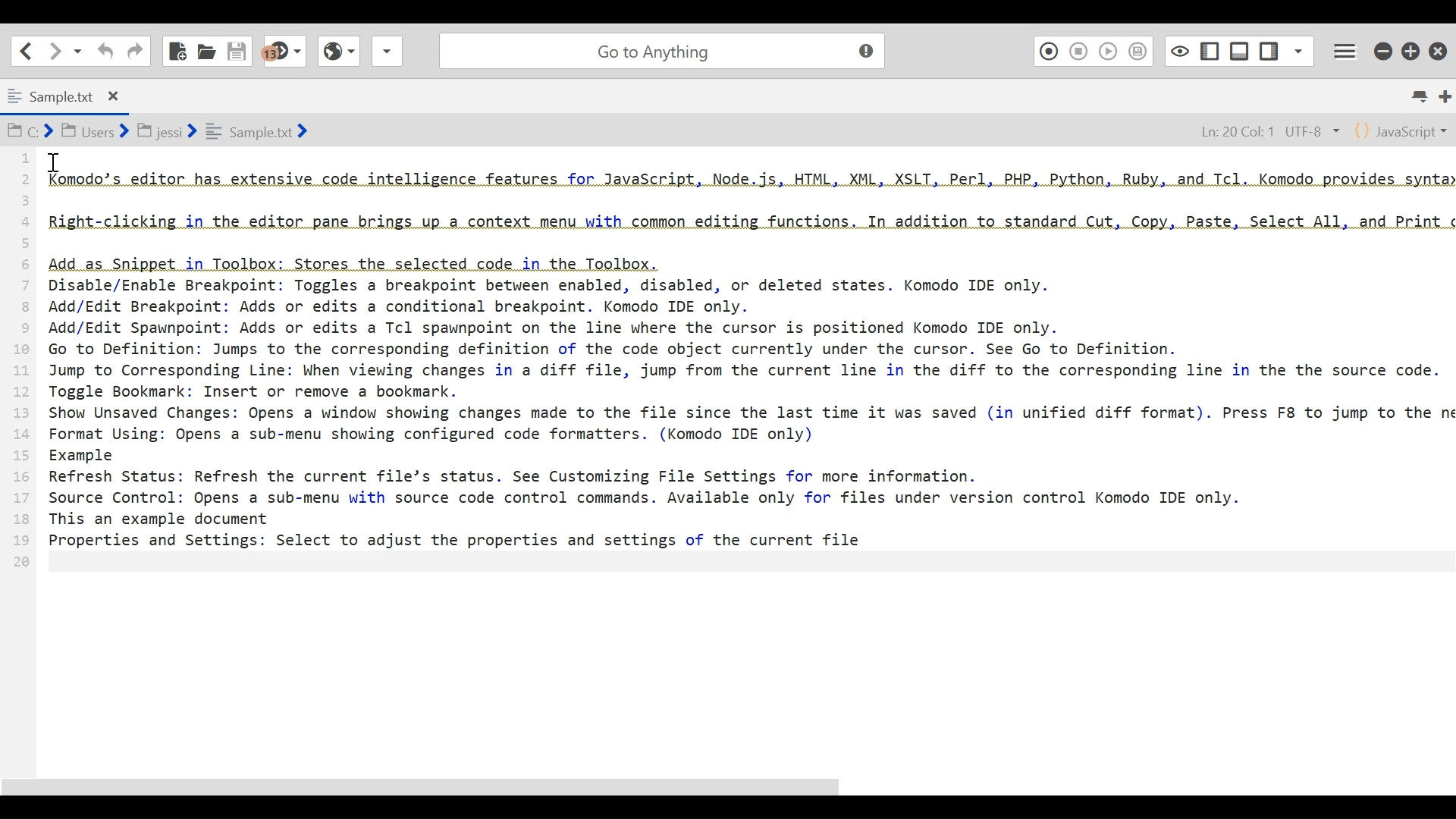 The width and height of the screenshot is (1456, 819). Describe the element at coordinates (1348, 49) in the screenshot. I see `Application menu` at that location.